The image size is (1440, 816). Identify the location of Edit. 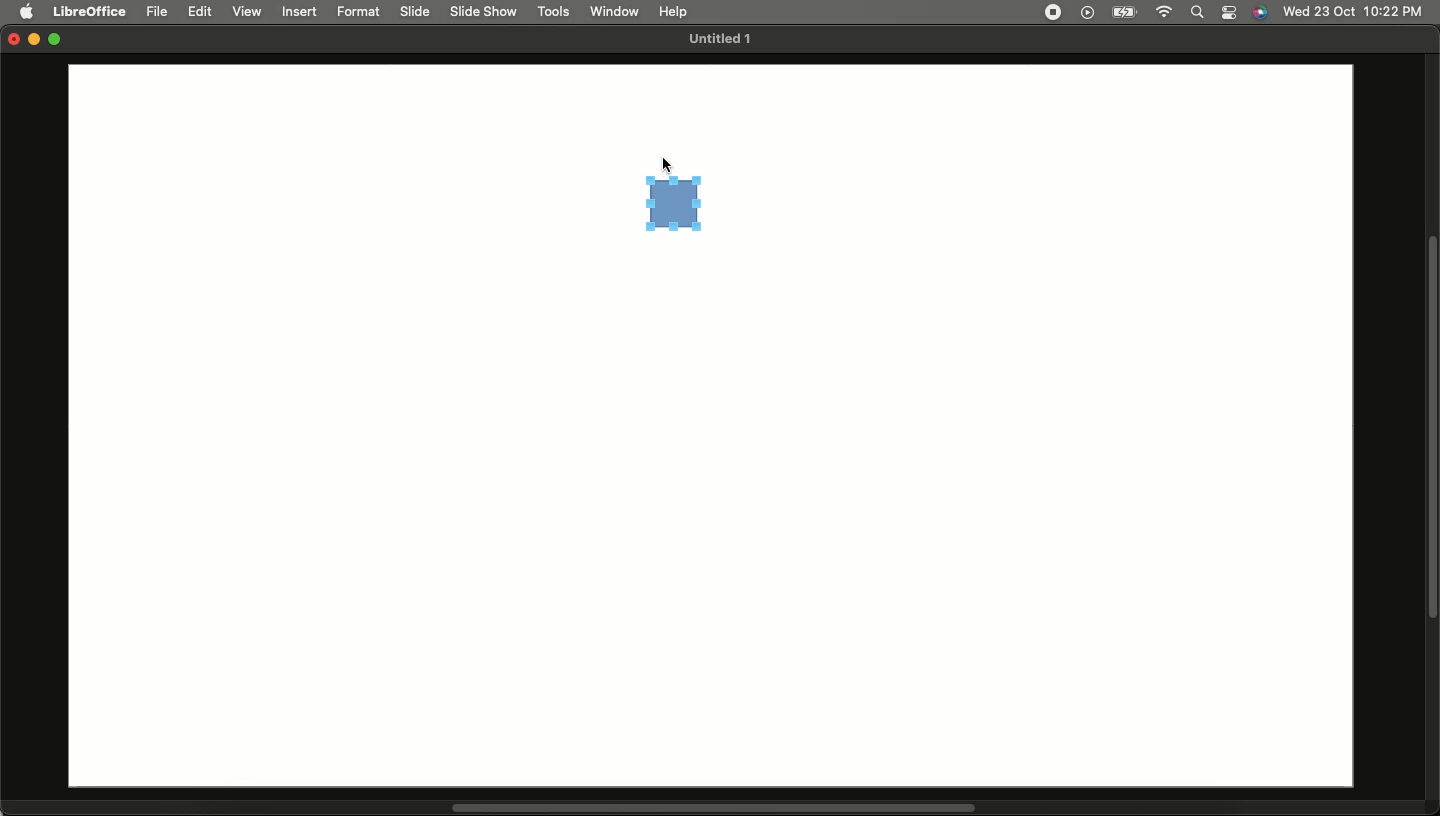
(202, 12).